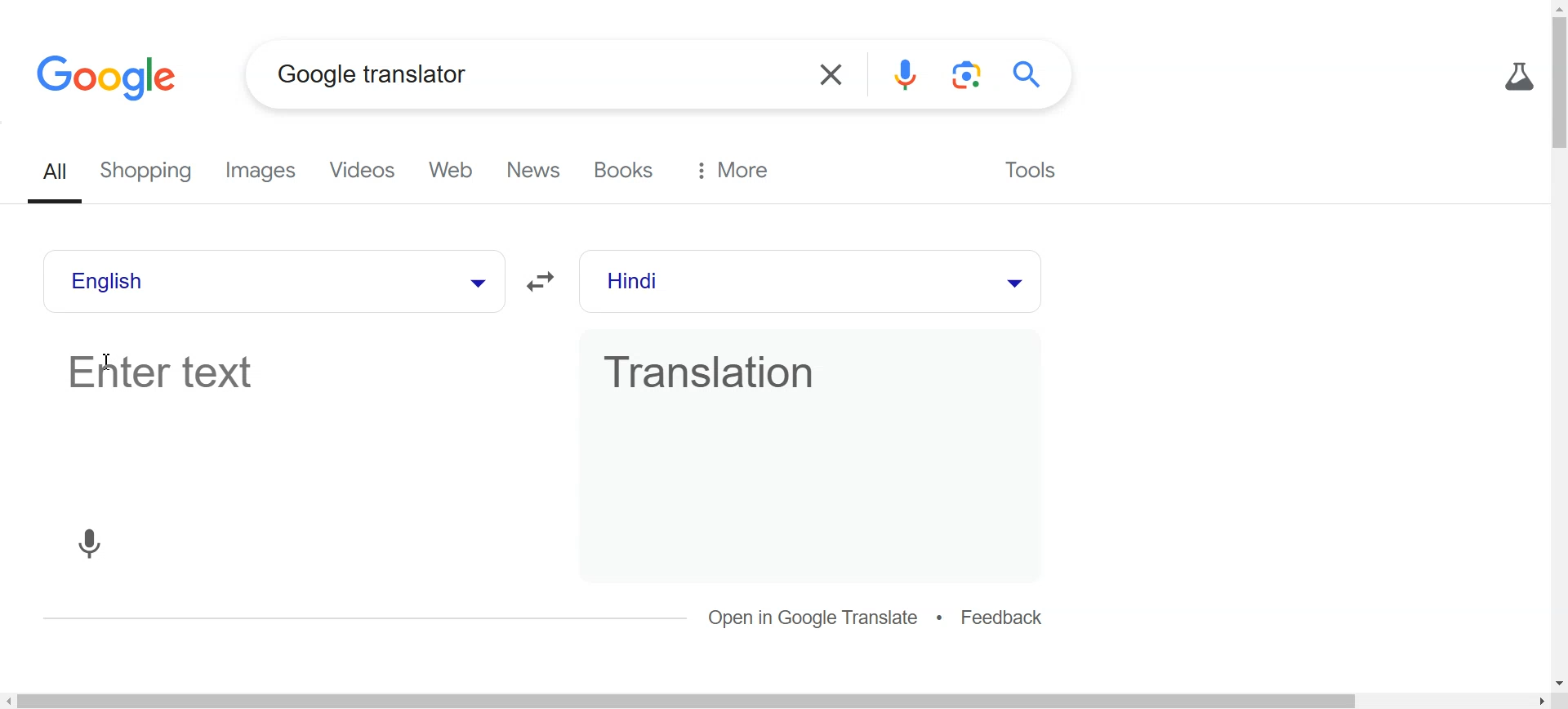  Describe the element at coordinates (152, 172) in the screenshot. I see `Shopping` at that location.